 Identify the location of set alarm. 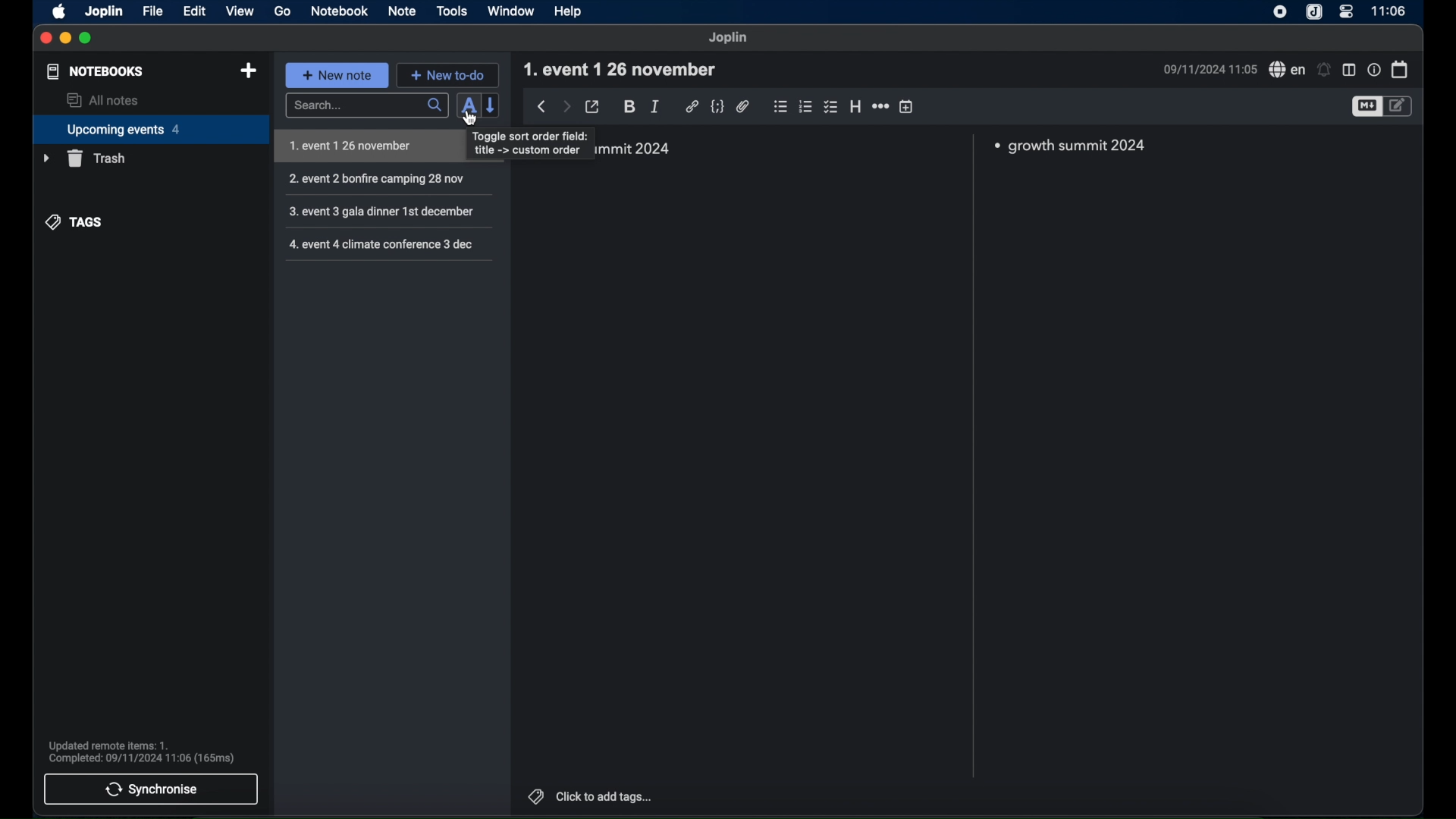
(1324, 69).